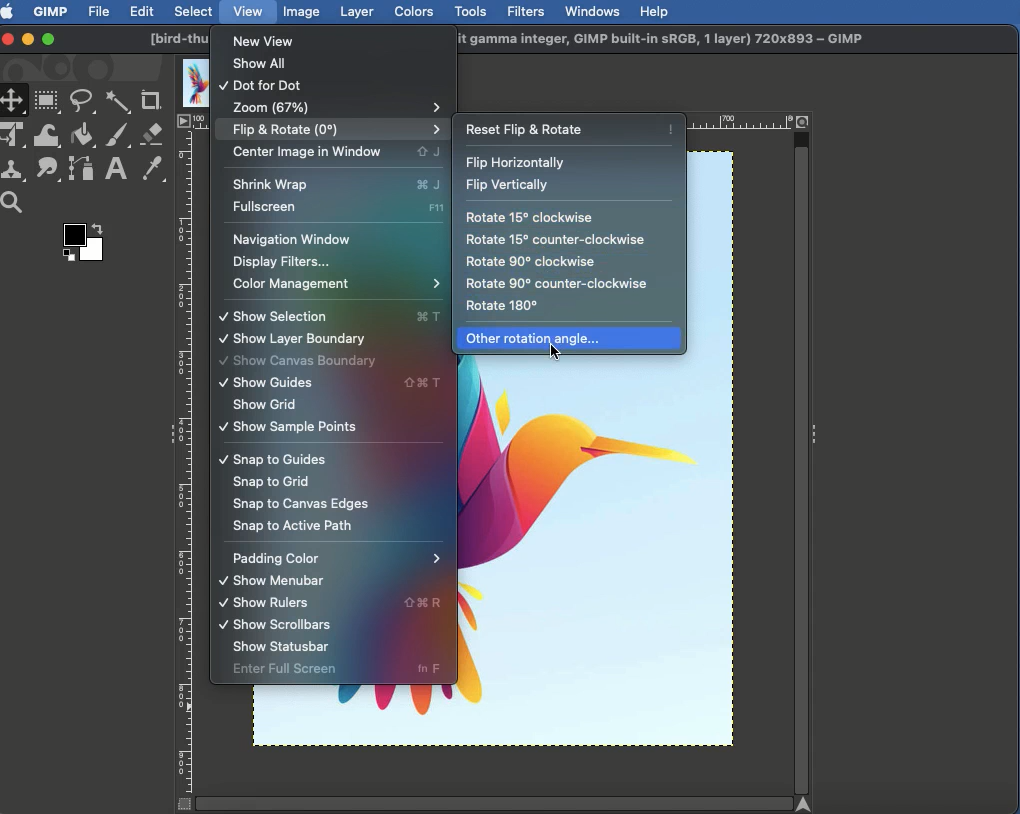 The width and height of the screenshot is (1020, 814). I want to click on Show scrollbars, so click(271, 625).